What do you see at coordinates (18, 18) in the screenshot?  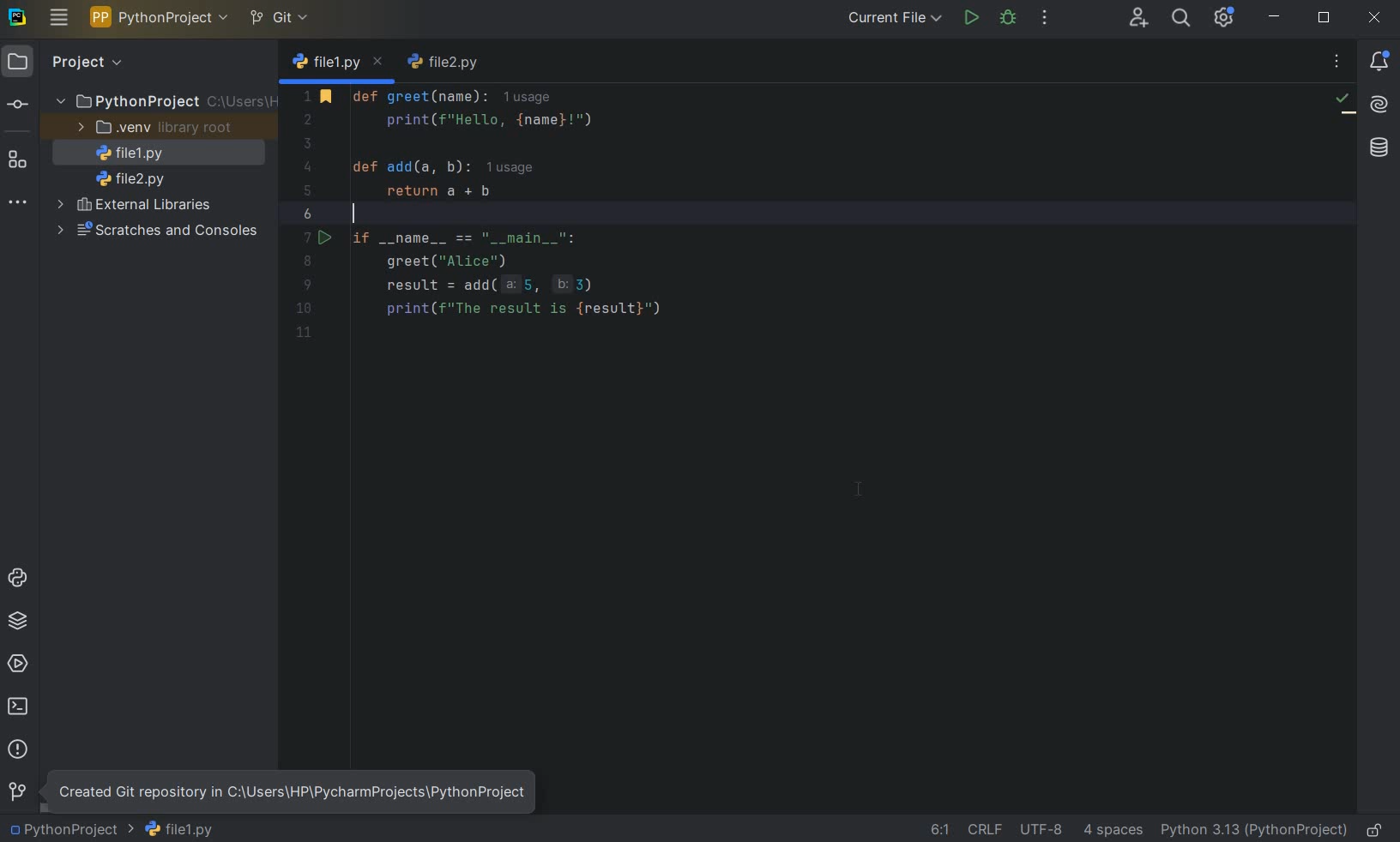 I see `system logo` at bounding box center [18, 18].